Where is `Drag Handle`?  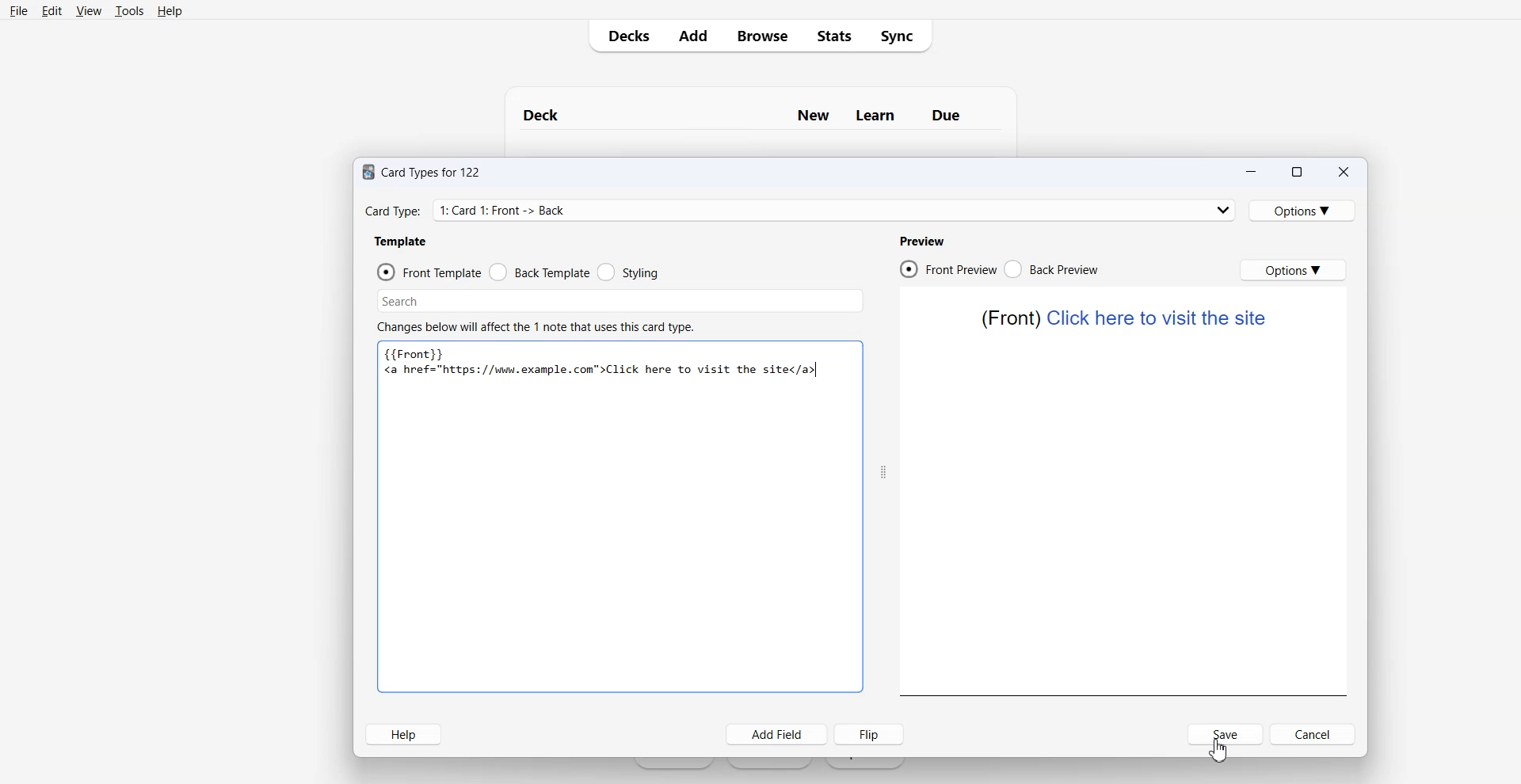
Drag Handle is located at coordinates (883, 474).